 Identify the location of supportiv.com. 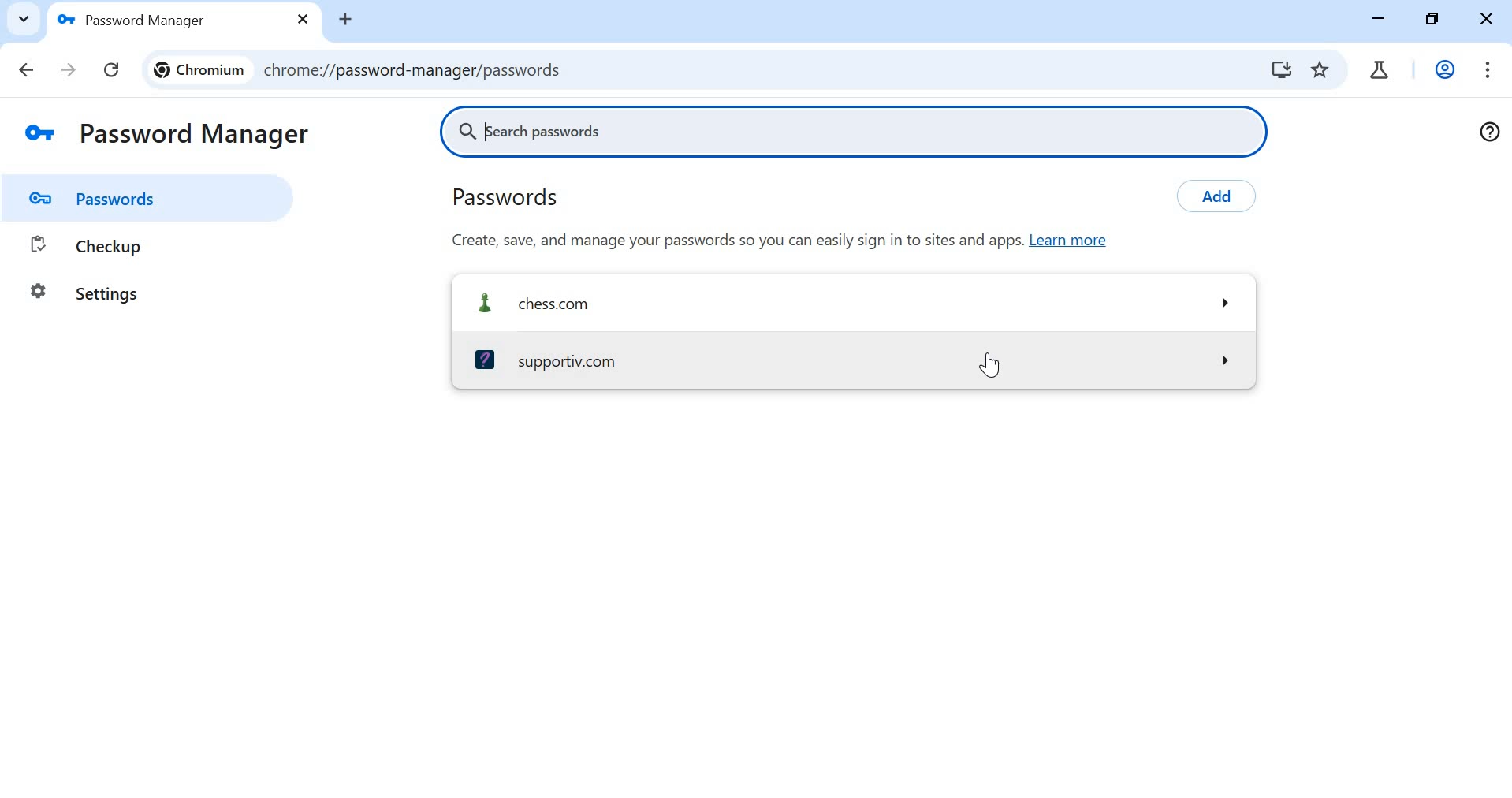
(850, 357).